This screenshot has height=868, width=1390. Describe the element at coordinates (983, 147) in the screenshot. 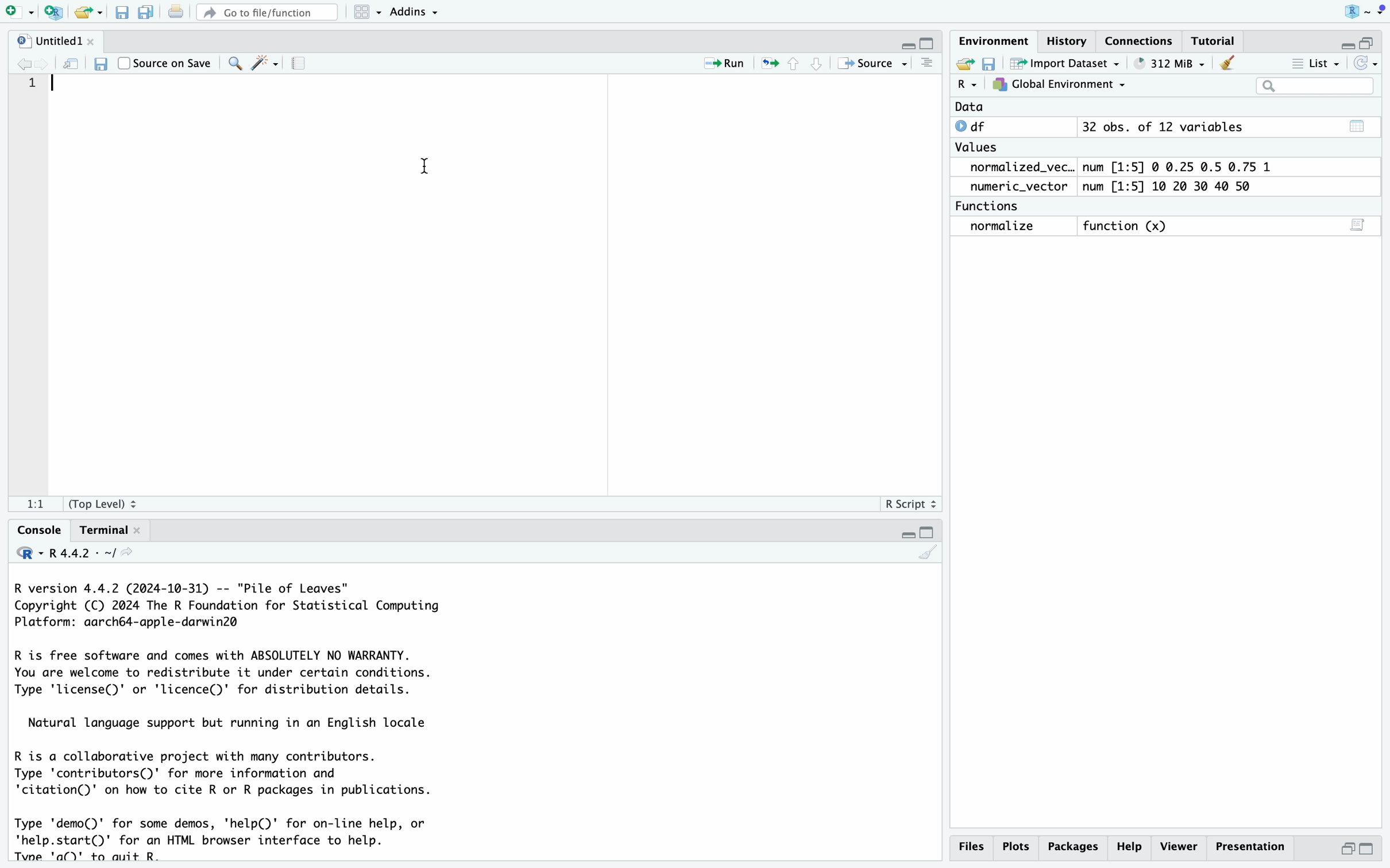

I see `Values` at that location.